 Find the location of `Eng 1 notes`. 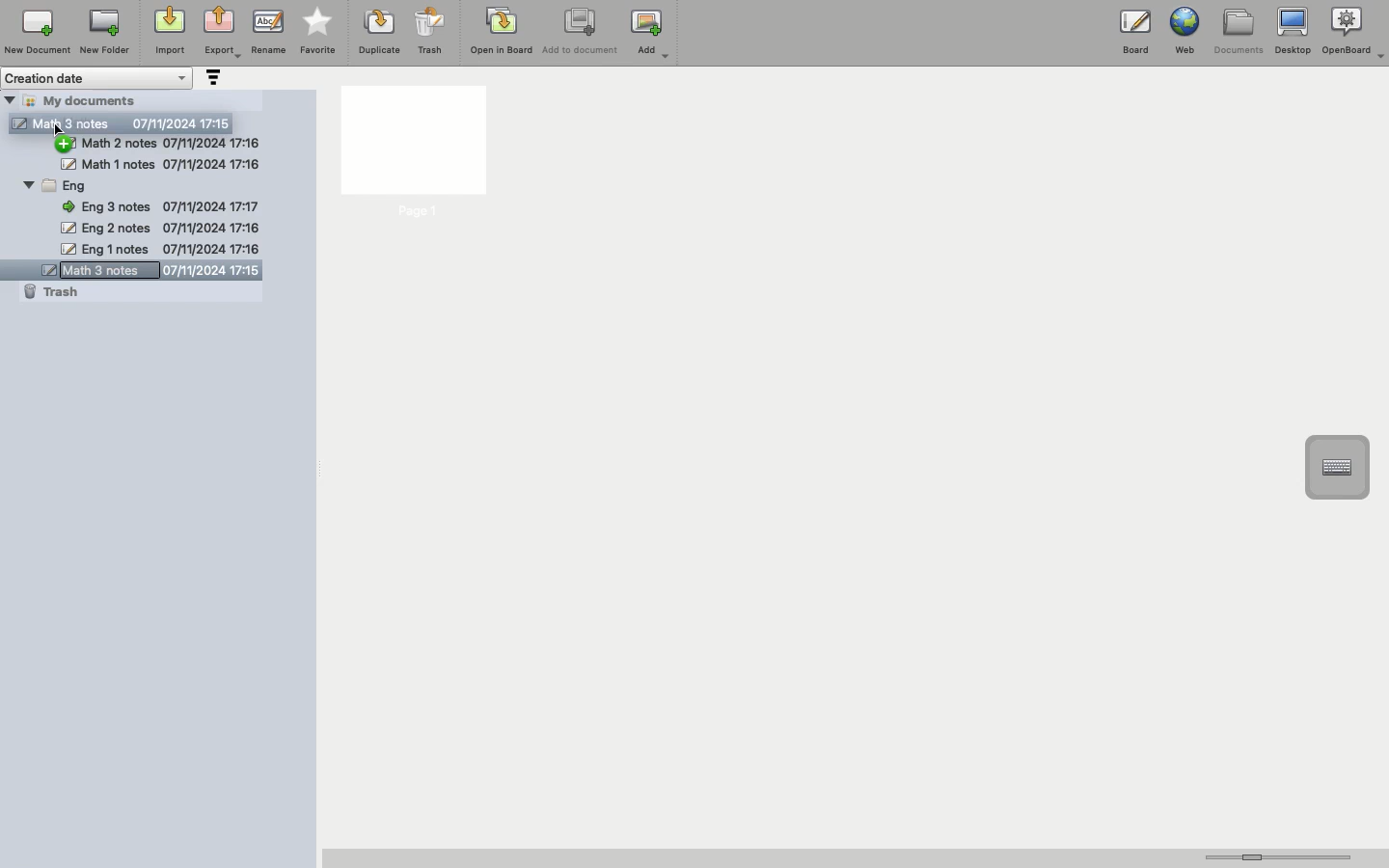

Eng 1 notes is located at coordinates (159, 249).